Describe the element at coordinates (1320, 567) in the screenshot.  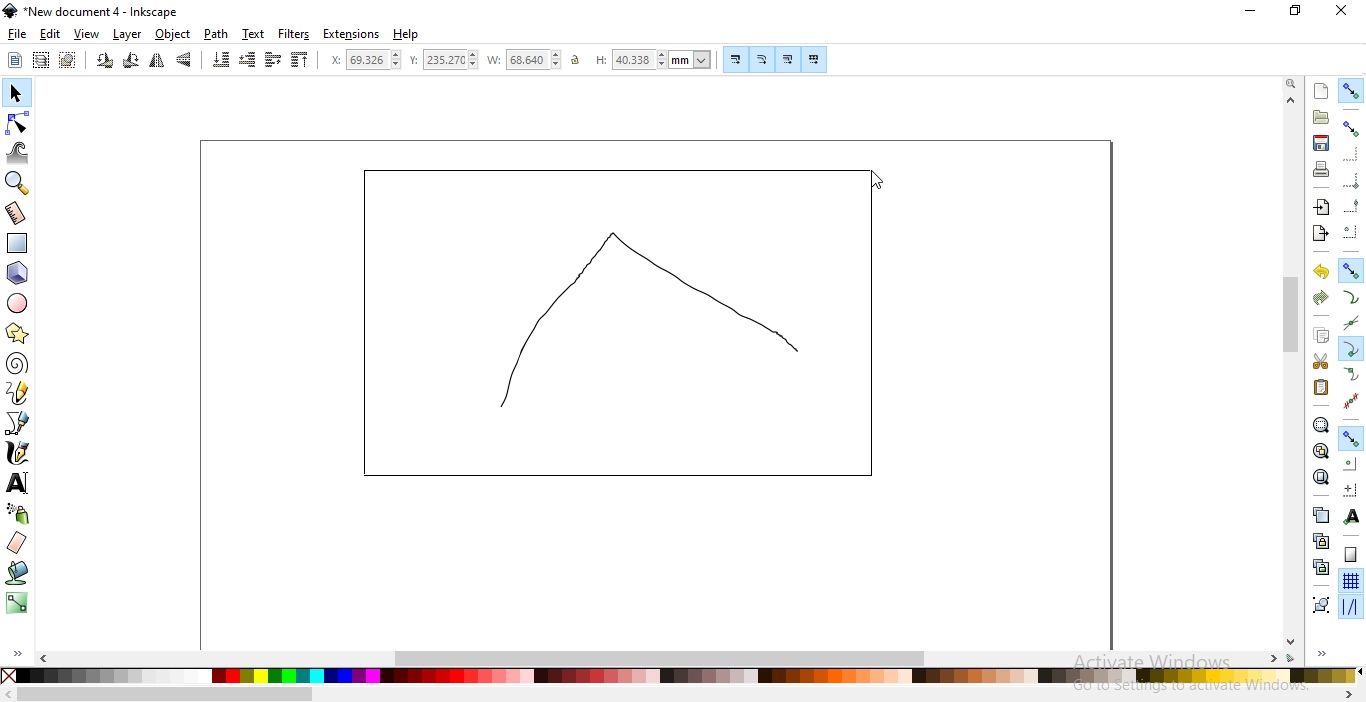
I see `cut the selected clones links to the originals` at that location.